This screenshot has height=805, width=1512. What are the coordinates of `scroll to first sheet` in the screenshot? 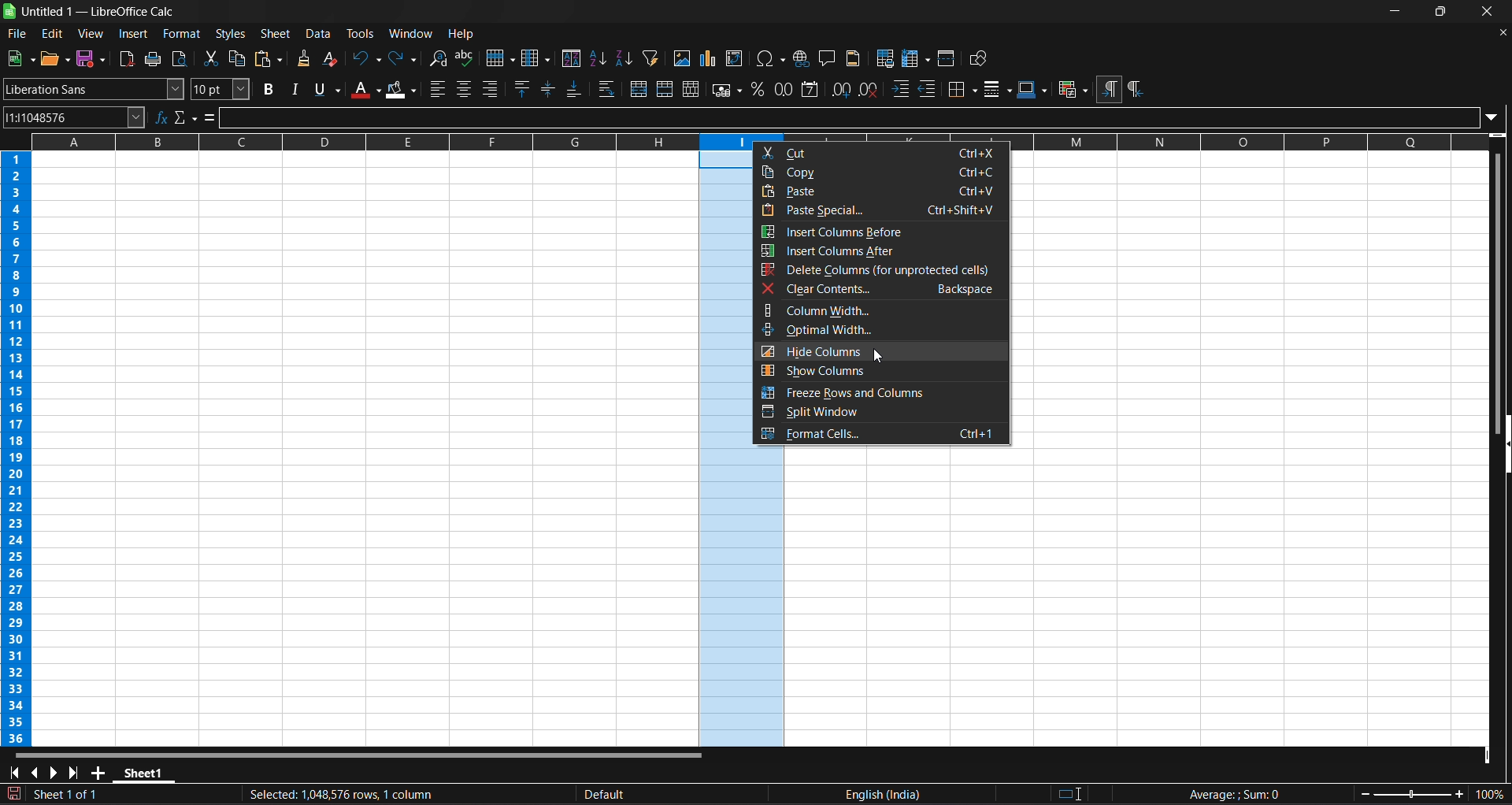 It's located at (13, 773).